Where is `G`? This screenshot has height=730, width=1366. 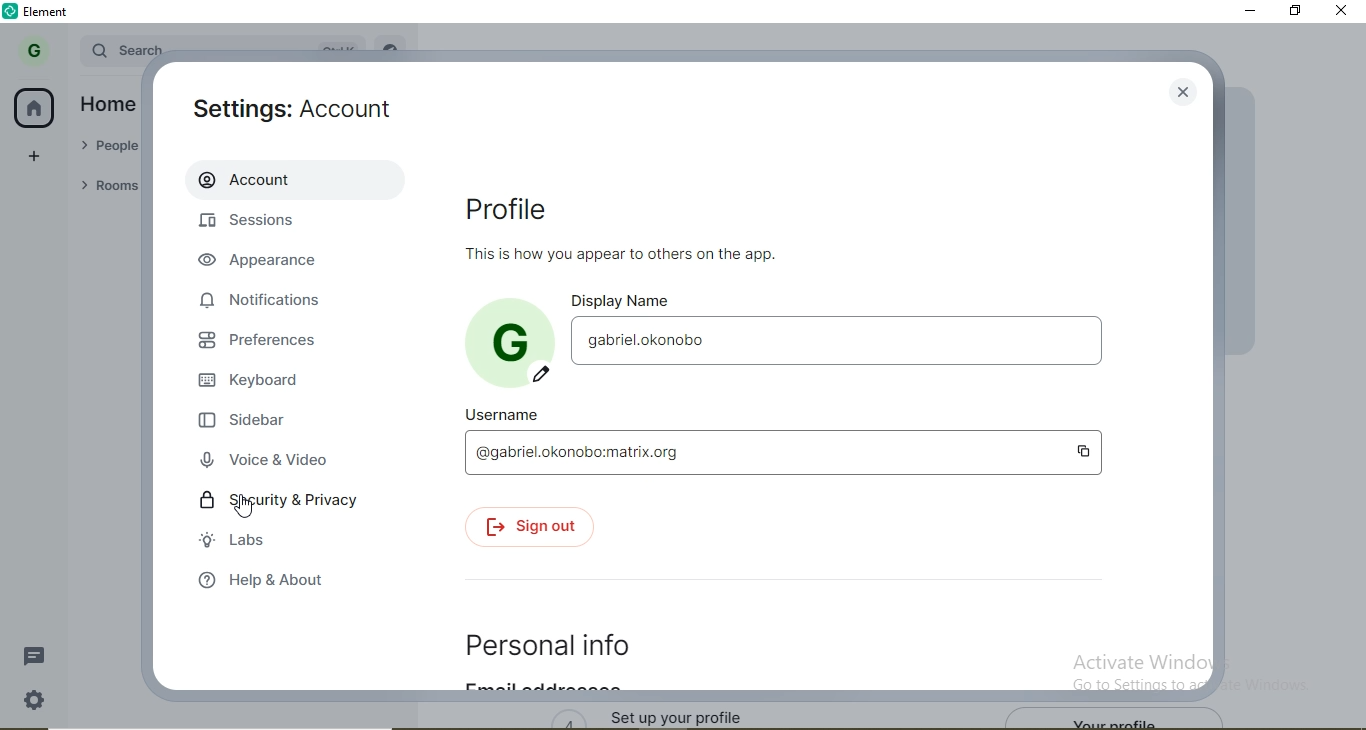 G is located at coordinates (33, 50).